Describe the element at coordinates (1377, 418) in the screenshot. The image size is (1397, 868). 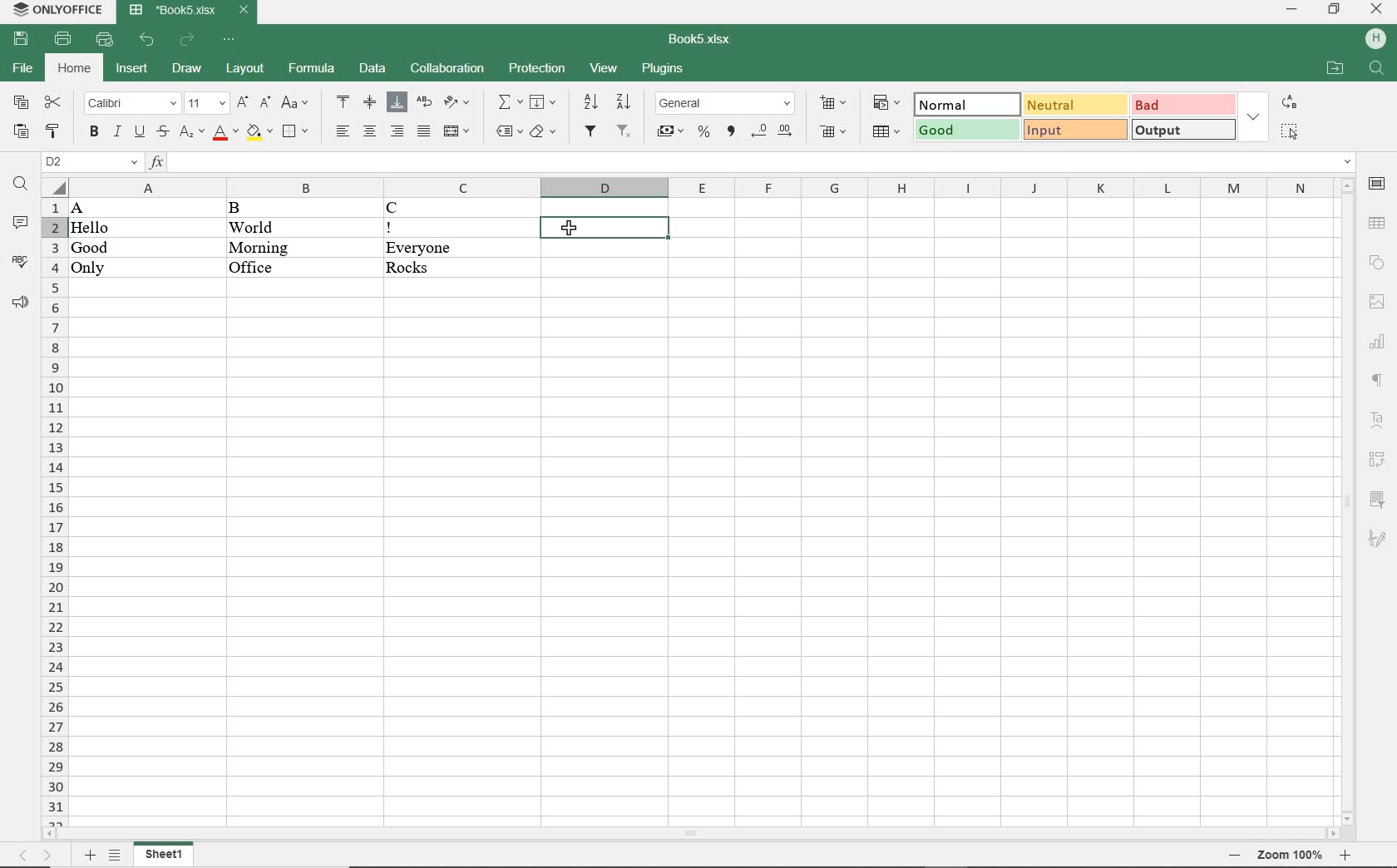
I see `TEXT ART` at that location.